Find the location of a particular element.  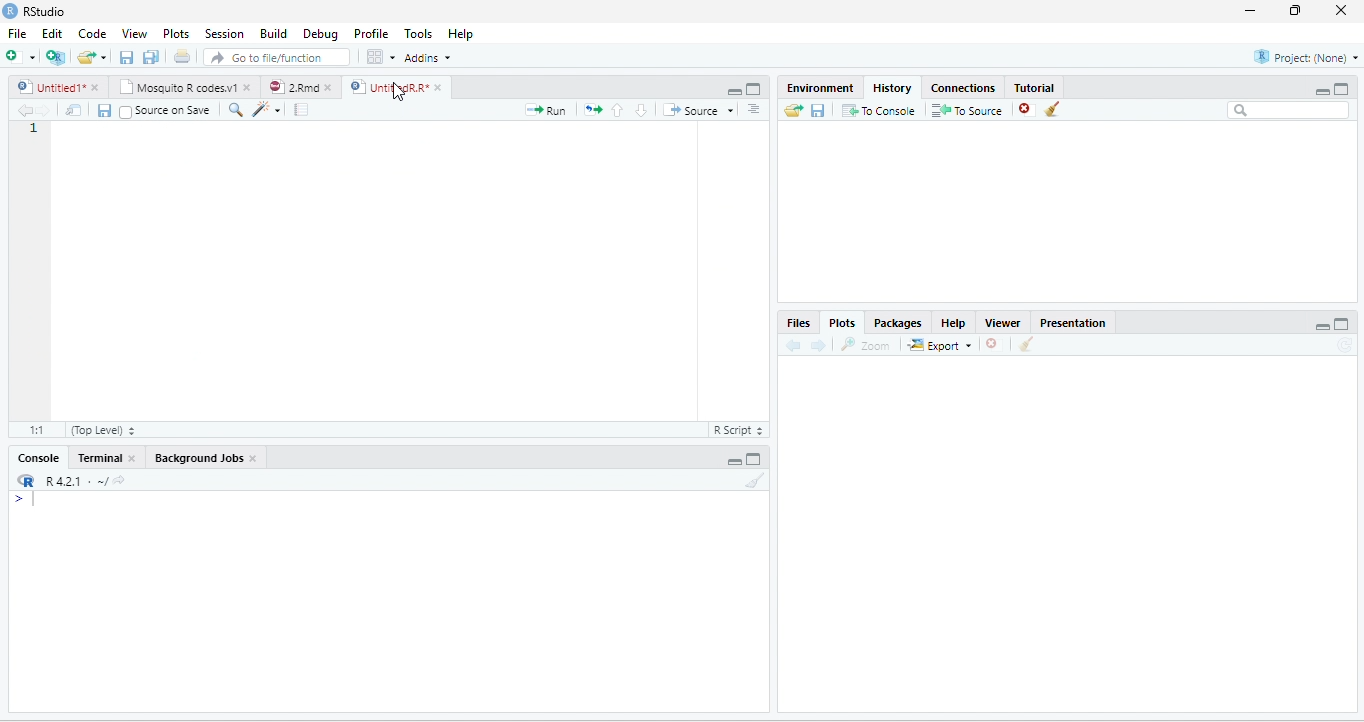

View is located at coordinates (134, 33).